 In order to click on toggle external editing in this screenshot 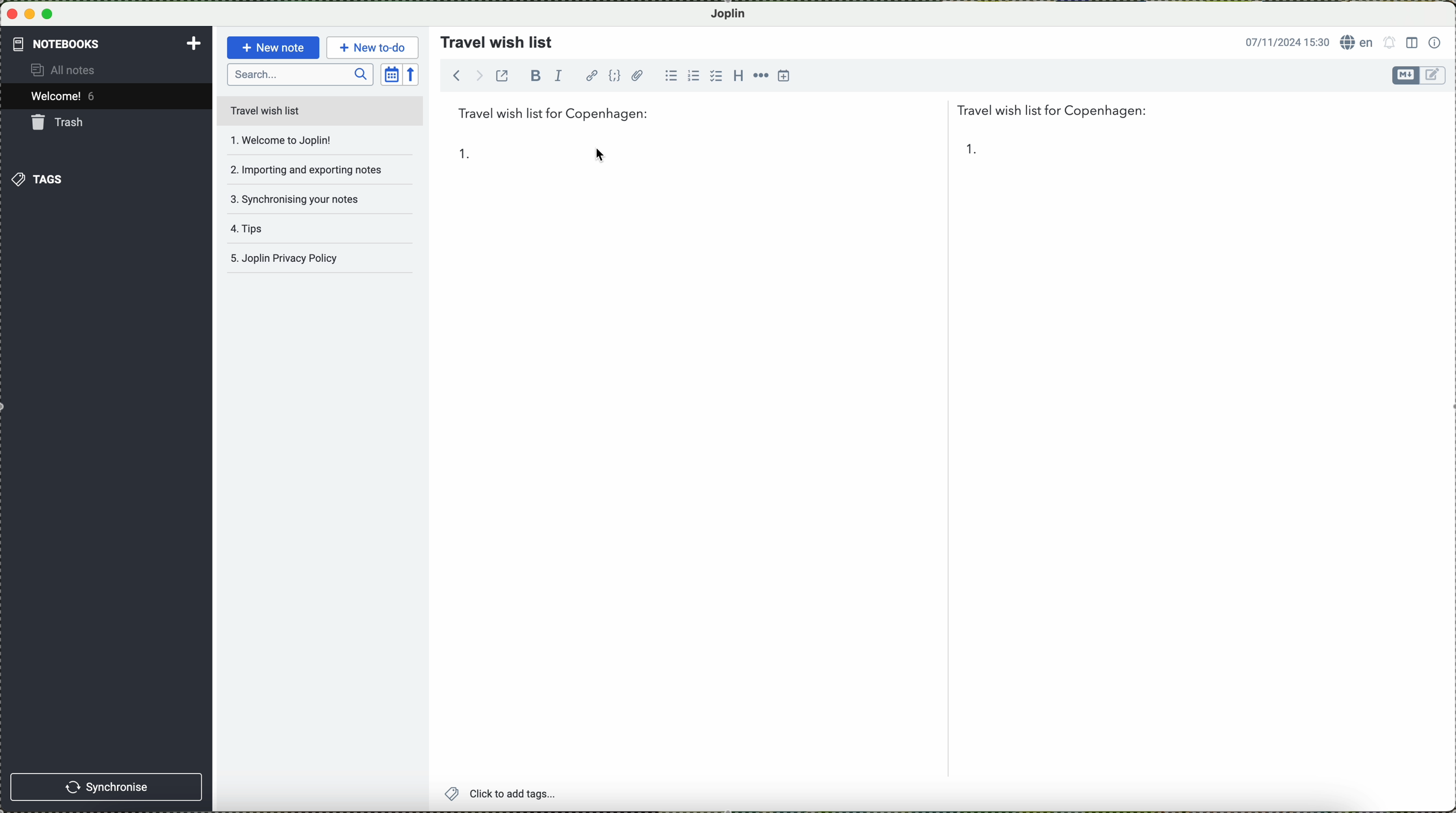, I will do `click(505, 80)`.